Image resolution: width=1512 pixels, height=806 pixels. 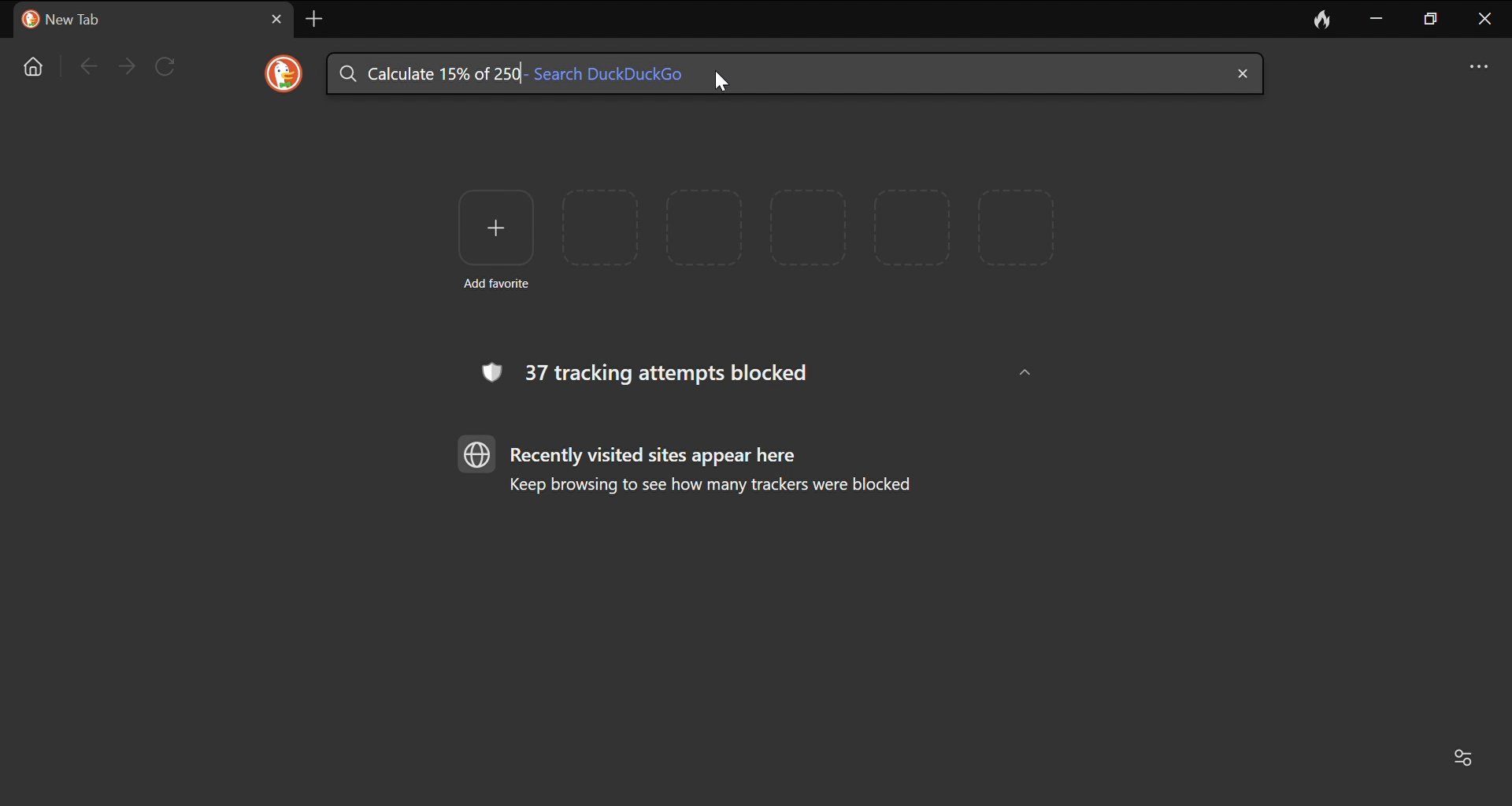 What do you see at coordinates (495, 237) in the screenshot?
I see `Add favorite` at bounding box center [495, 237].